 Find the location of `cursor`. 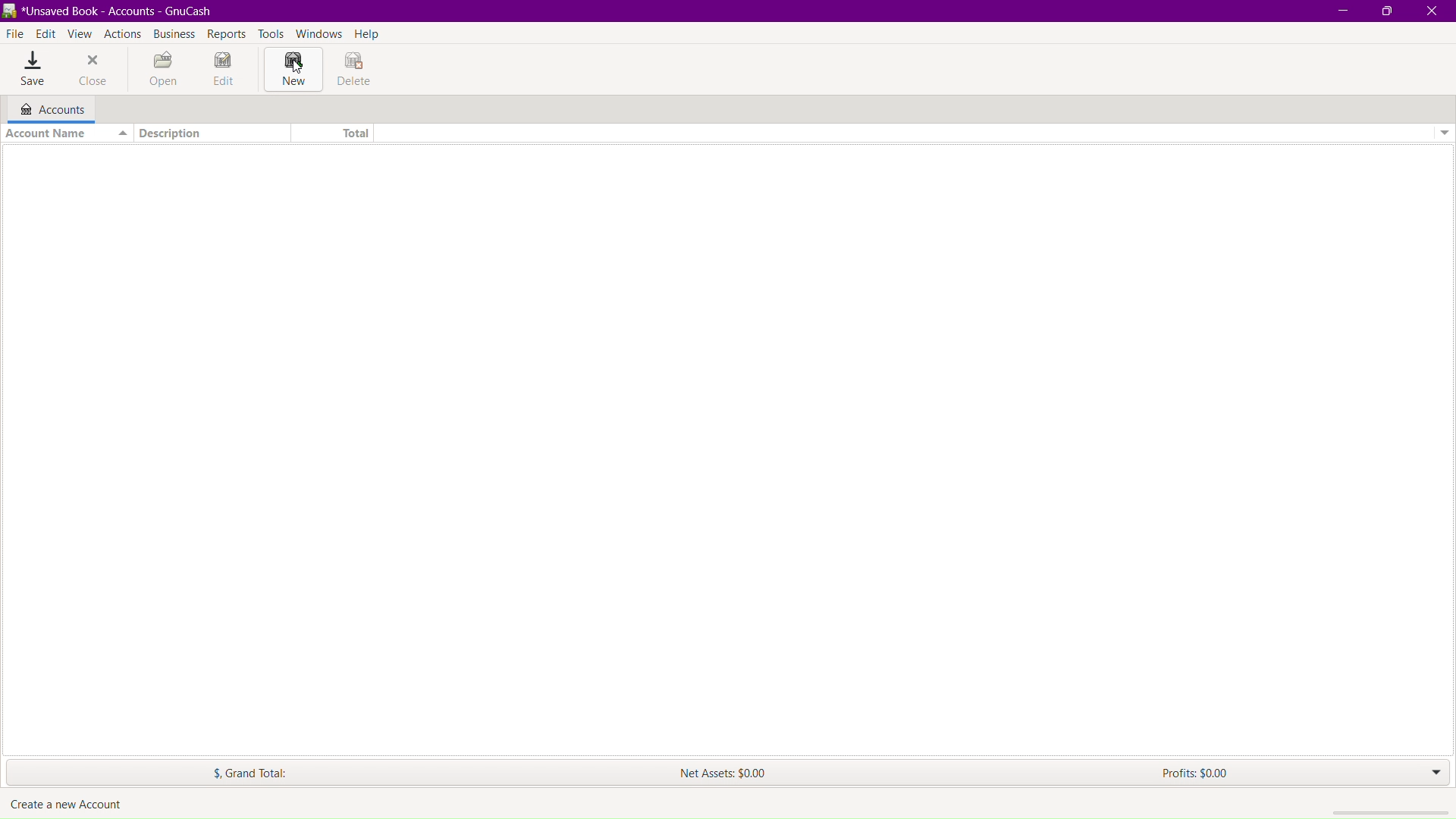

cursor is located at coordinates (303, 70).